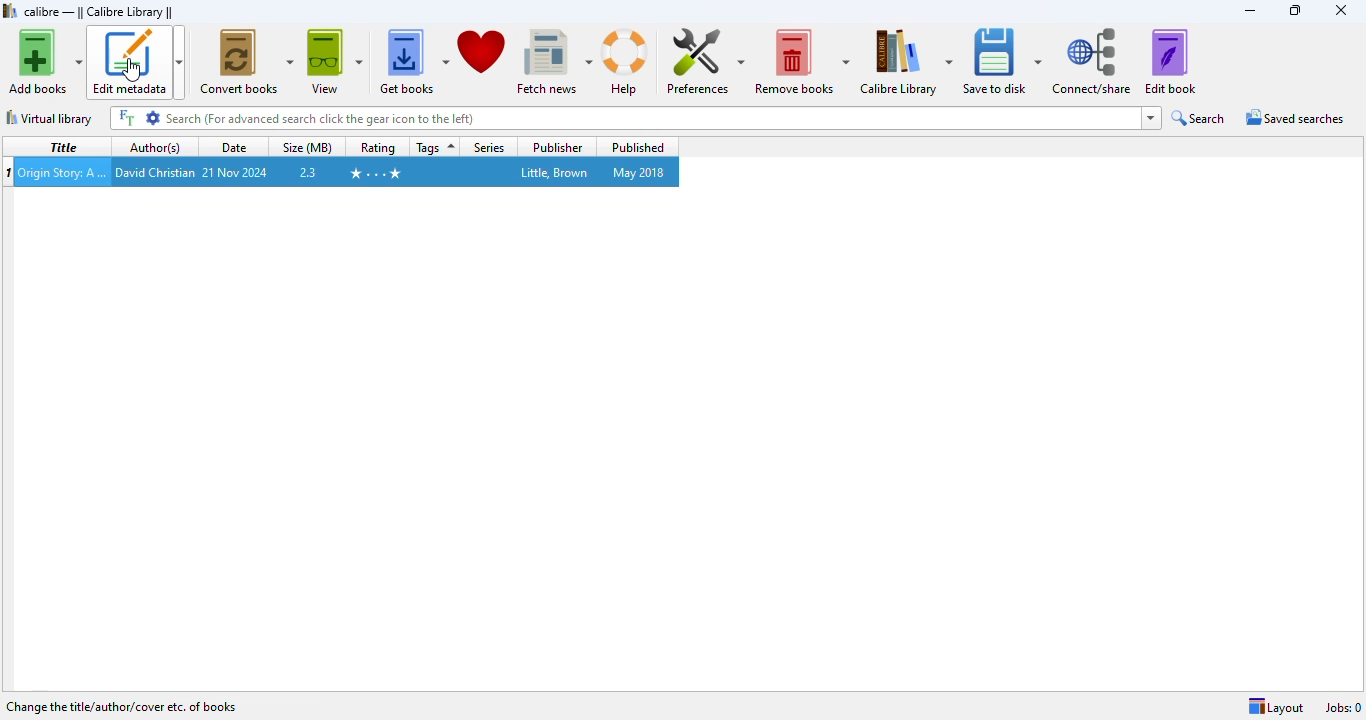  What do you see at coordinates (1171, 60) in the screenshot?
I see `edit book` at bounding box center [1171, 60].